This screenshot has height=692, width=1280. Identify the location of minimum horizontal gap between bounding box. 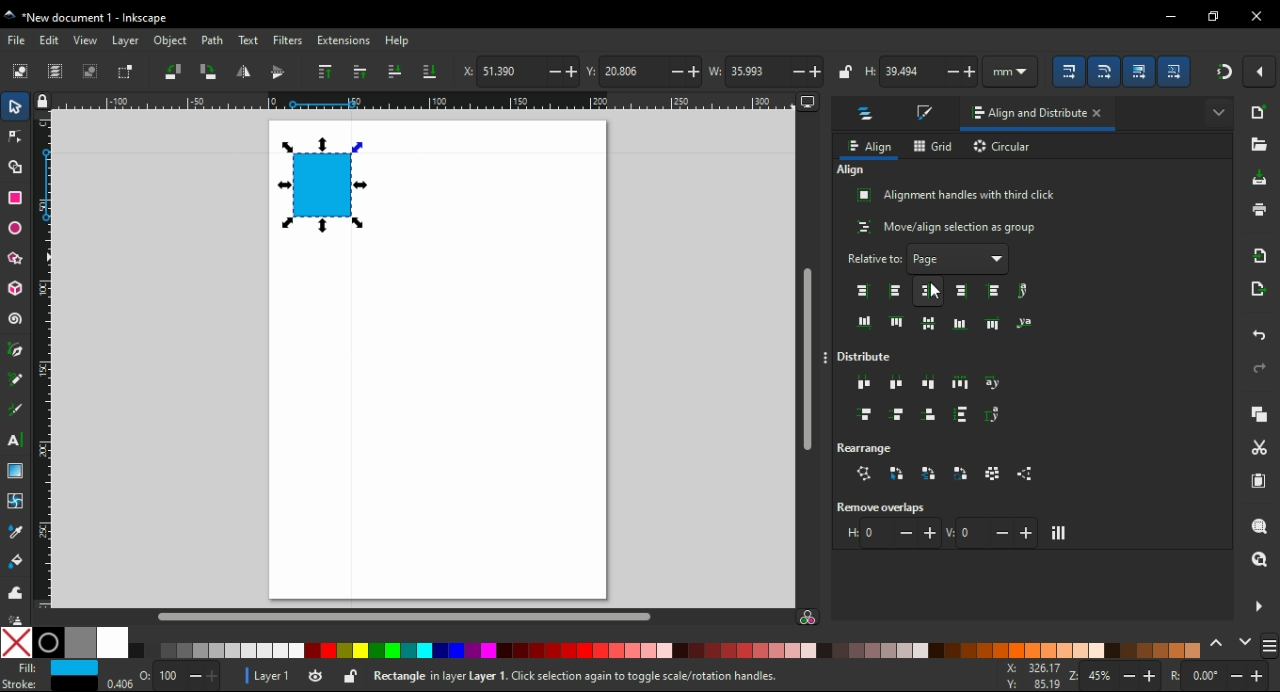
(891, 533).